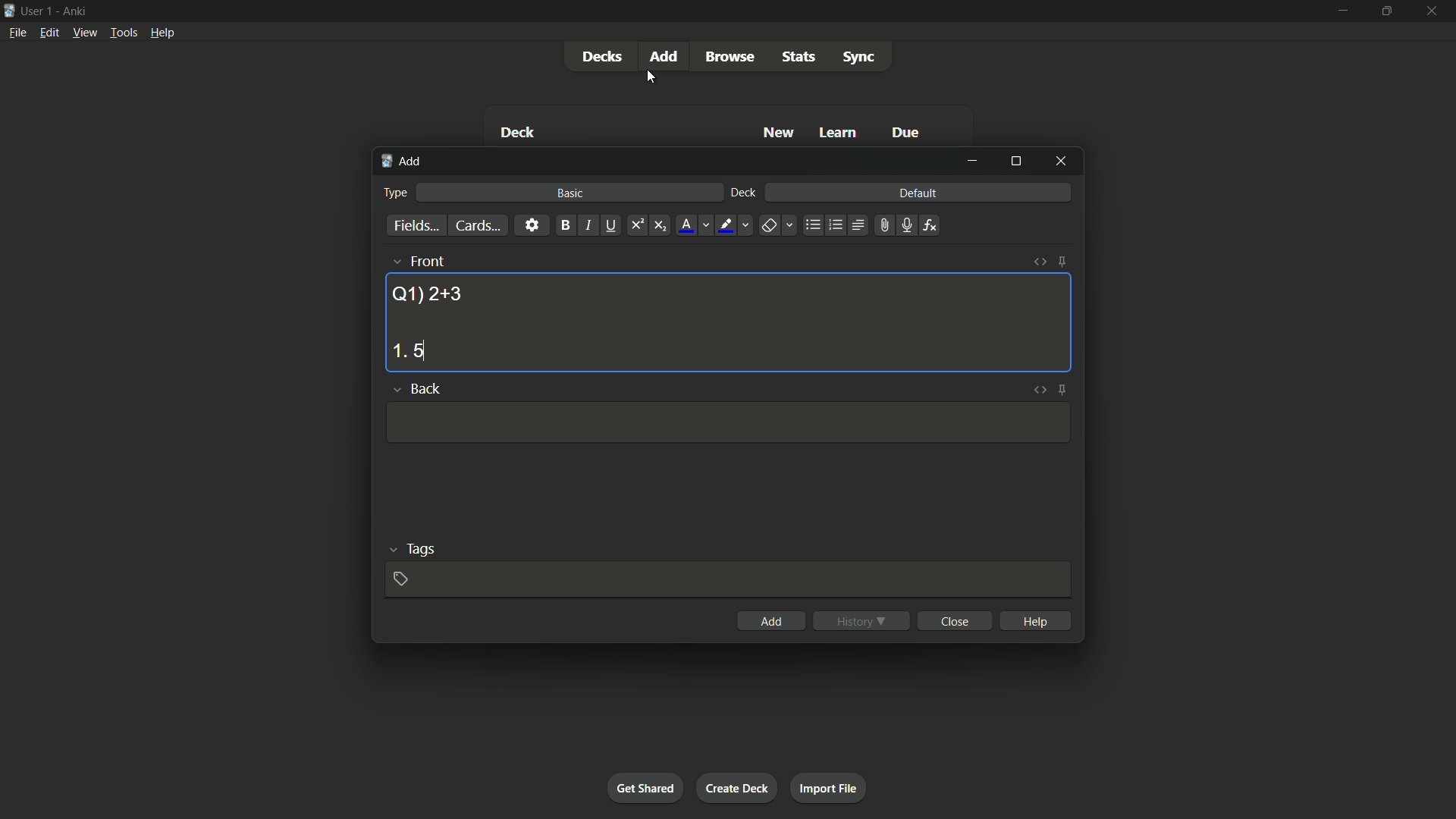 The image size is (1456, 819). What do you see at coordinates (972, 161) in the screenshot?
I see `minimize` at bounding box center [972, 161].